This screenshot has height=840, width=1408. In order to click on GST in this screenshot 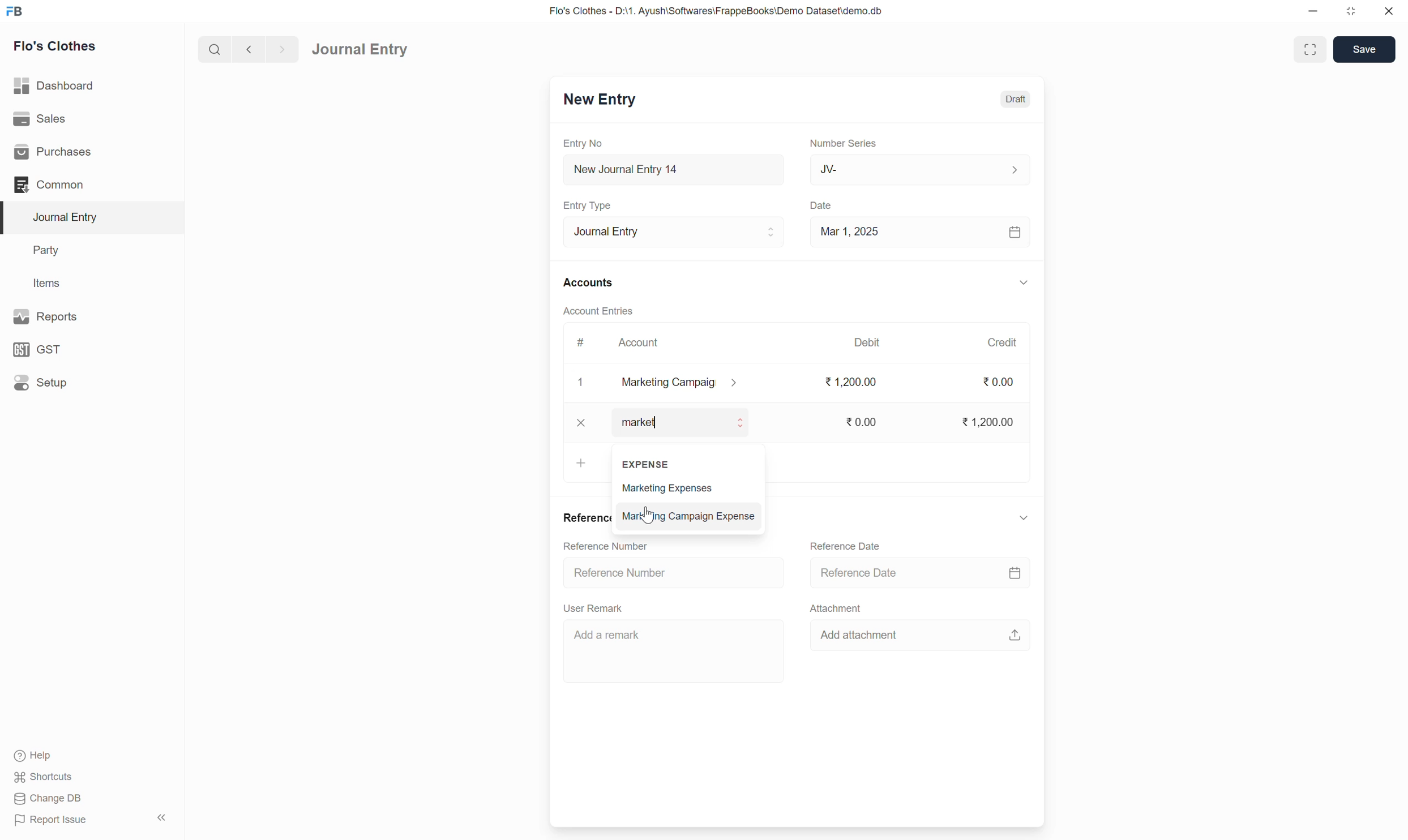, I will do `click(39, 350)`.